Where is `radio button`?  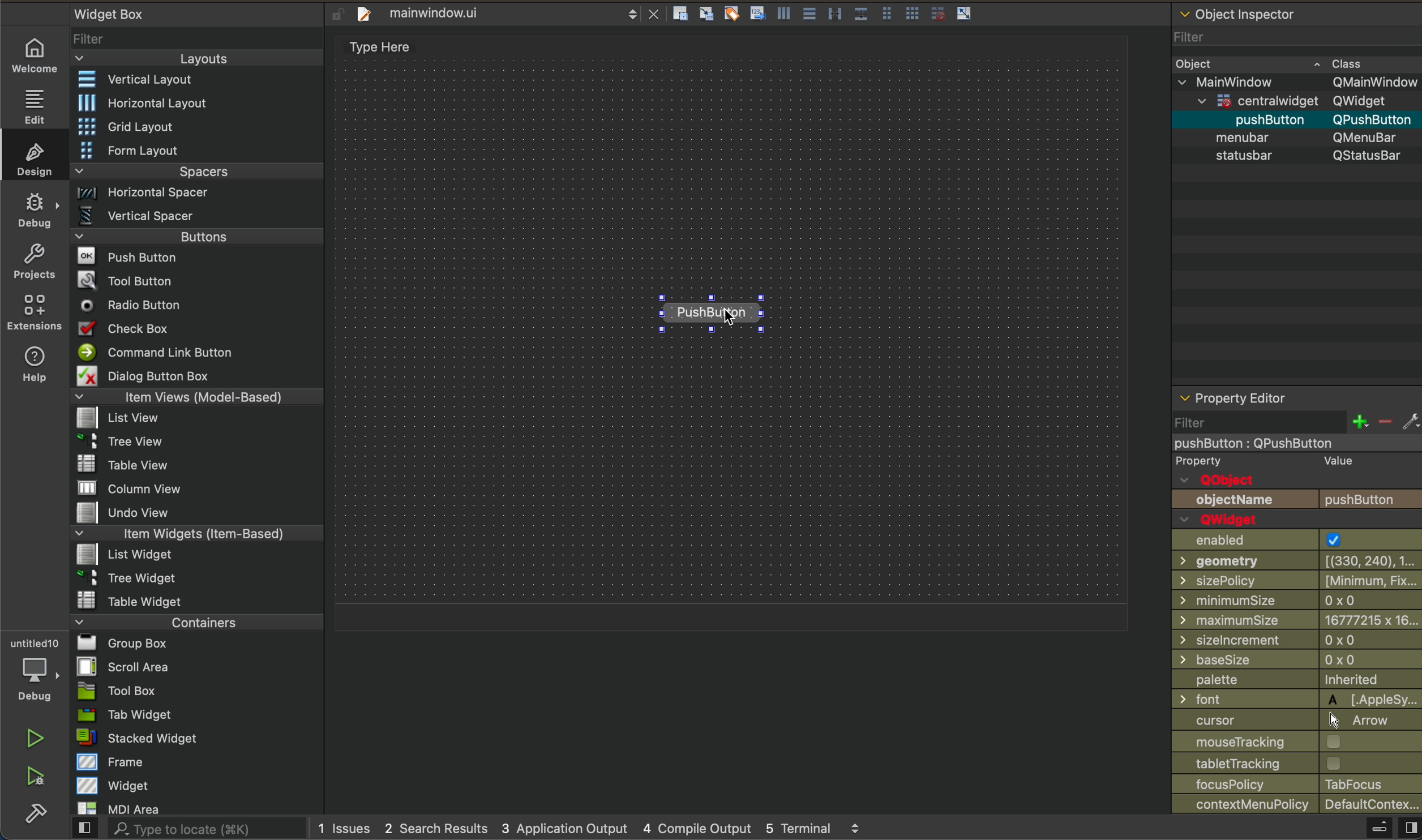
radio button is located at coordinates (196, 307).